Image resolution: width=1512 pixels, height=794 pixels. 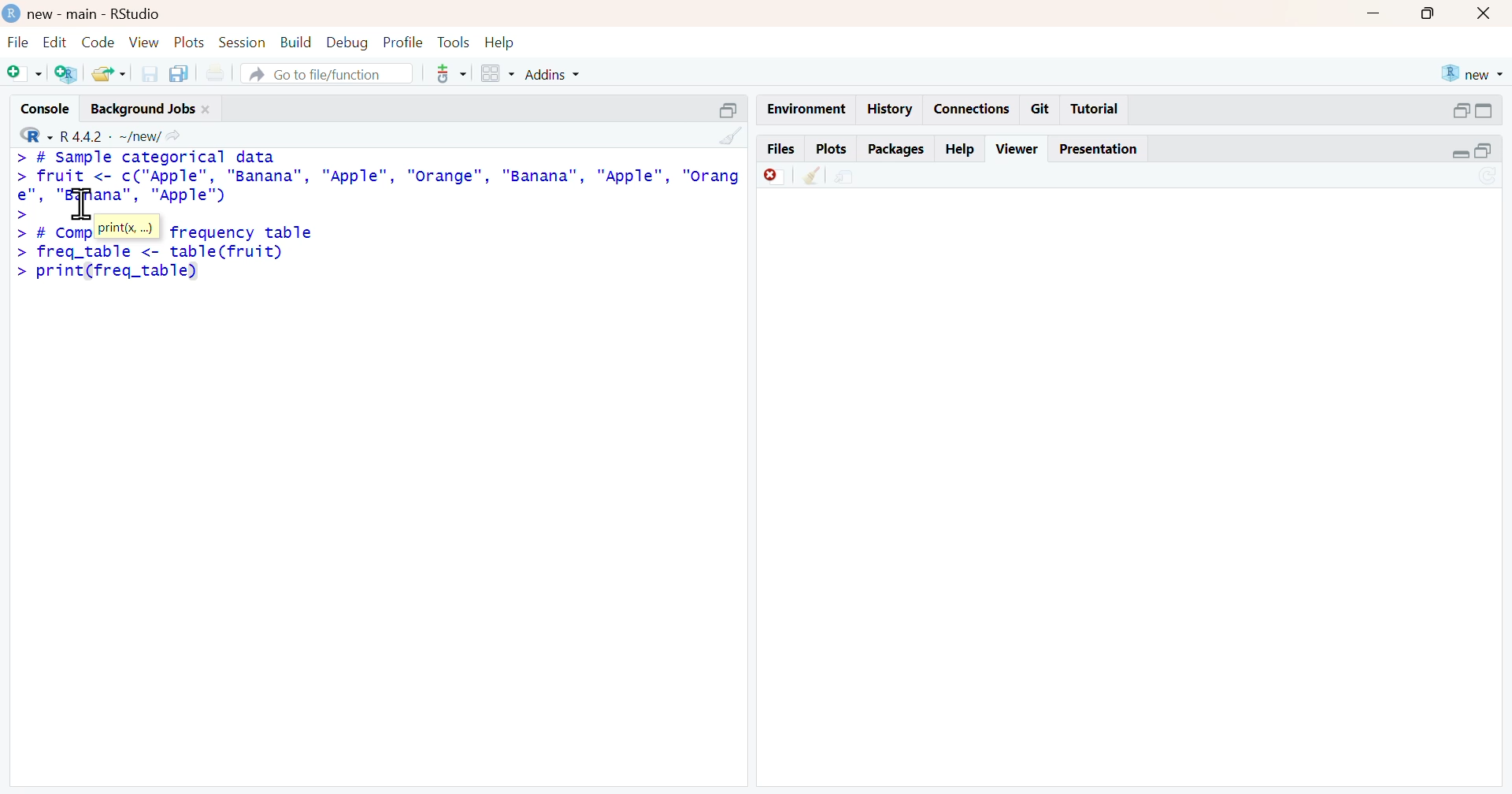 I want to click on session, so click(x=243, y=42).